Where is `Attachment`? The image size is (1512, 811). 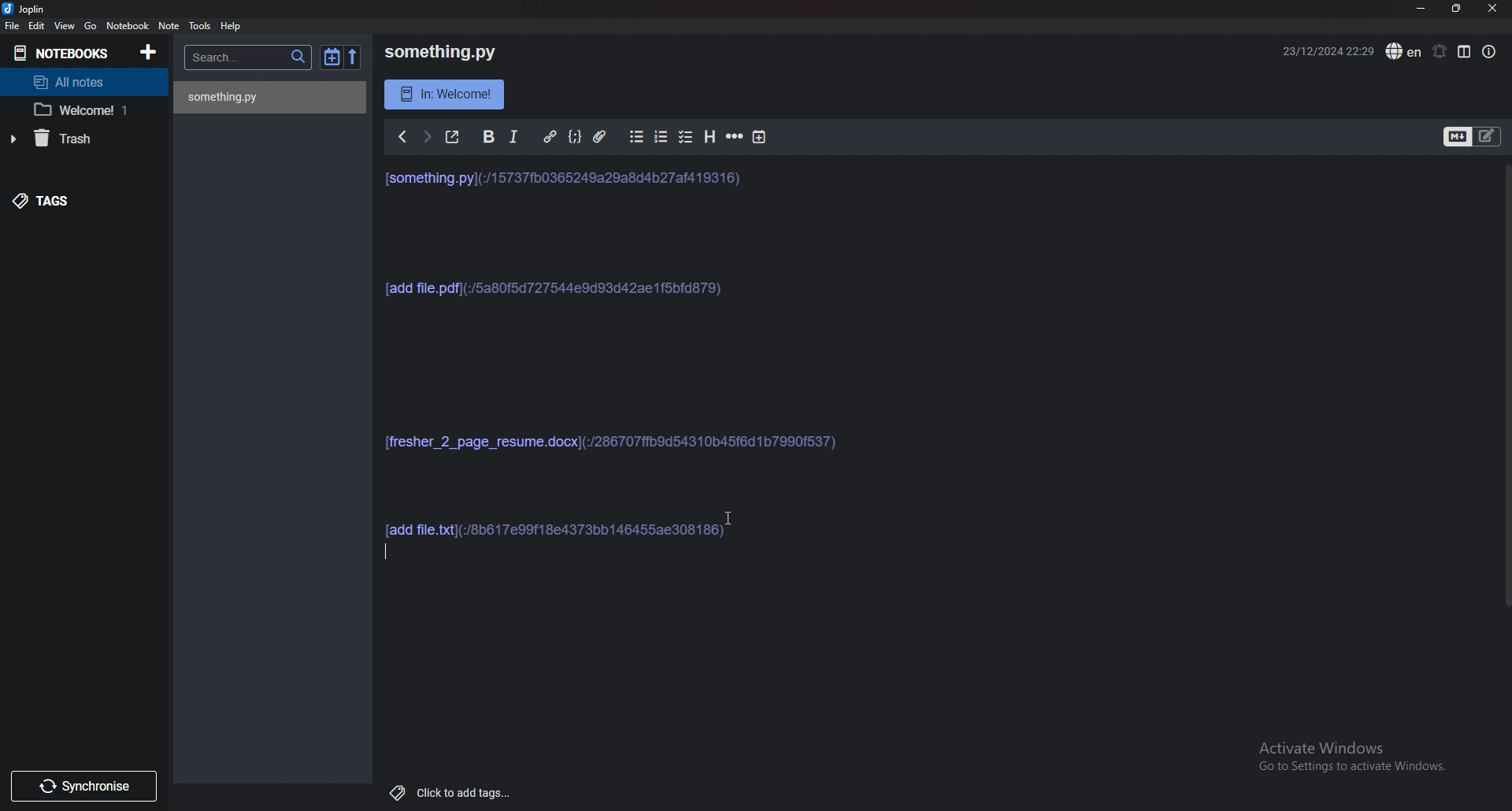
Attachment is located at coordinates (601, 135).